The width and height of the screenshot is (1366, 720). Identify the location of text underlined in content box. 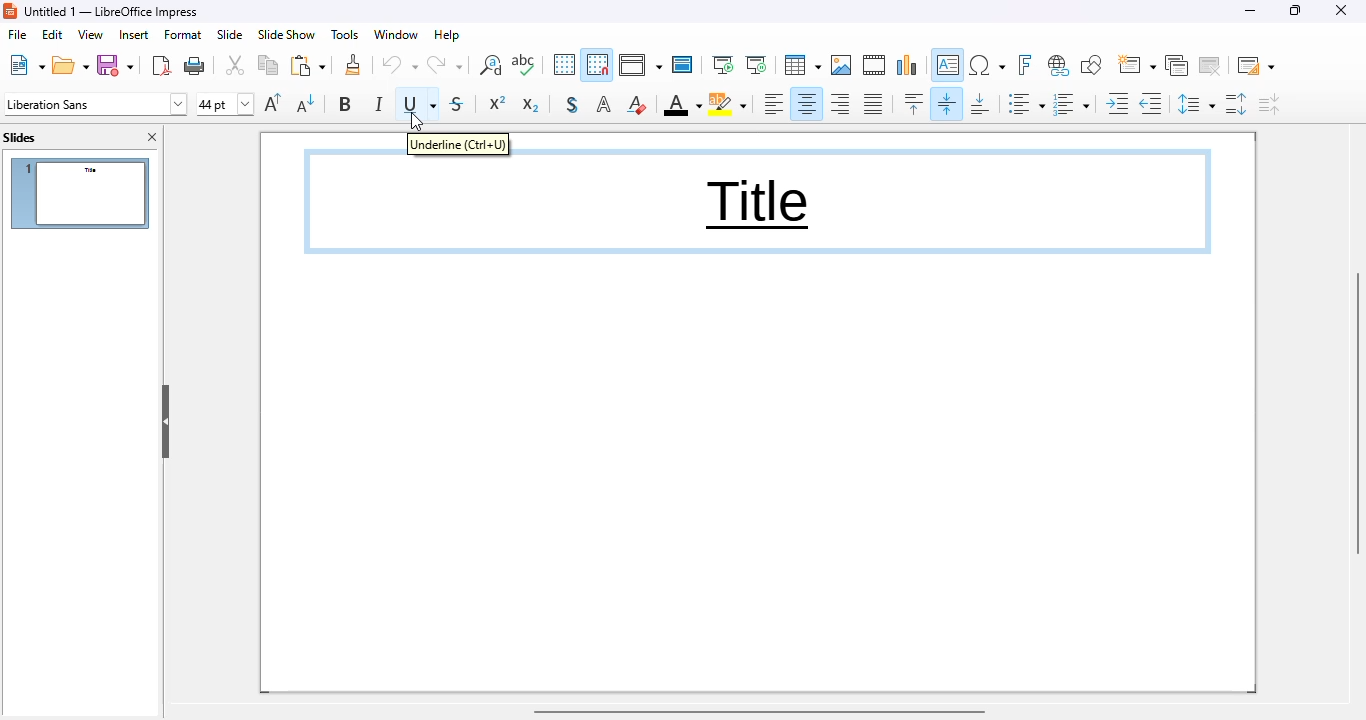
(756, 203).